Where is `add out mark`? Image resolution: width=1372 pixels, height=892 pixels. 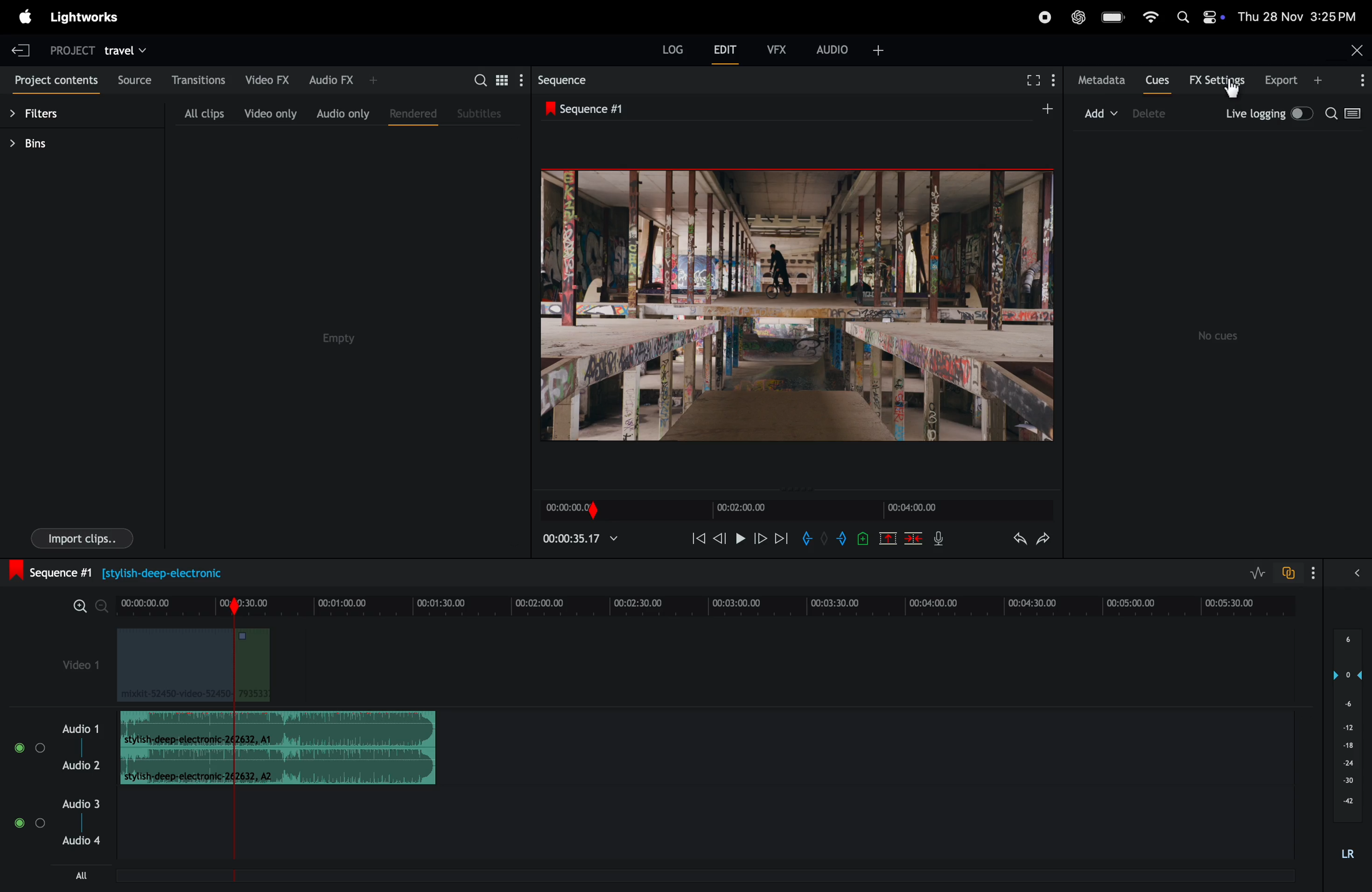
add out mark is located at coordinates (843, 538).